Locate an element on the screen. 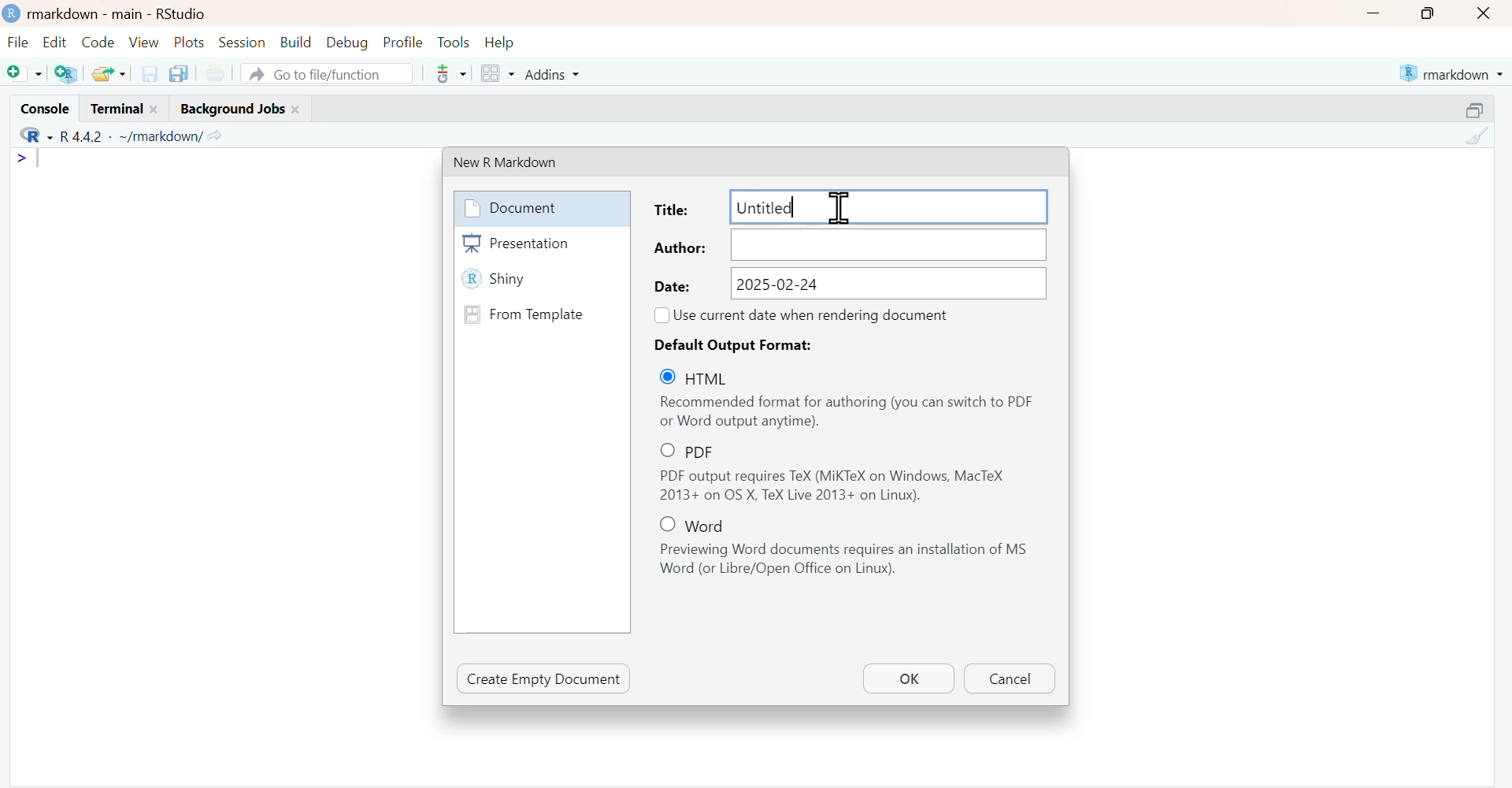  Save all open documents is located at coordinates (181, 74).